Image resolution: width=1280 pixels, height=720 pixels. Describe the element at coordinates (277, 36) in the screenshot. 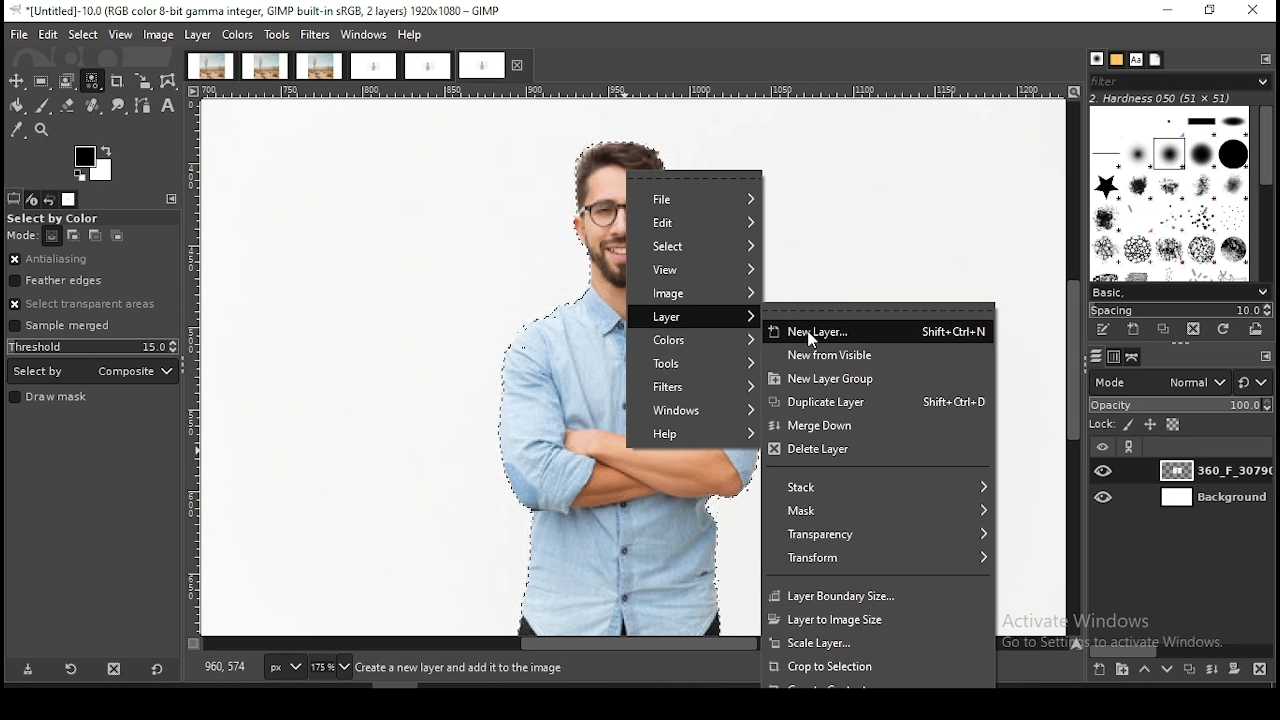

I see `tools` at that location.